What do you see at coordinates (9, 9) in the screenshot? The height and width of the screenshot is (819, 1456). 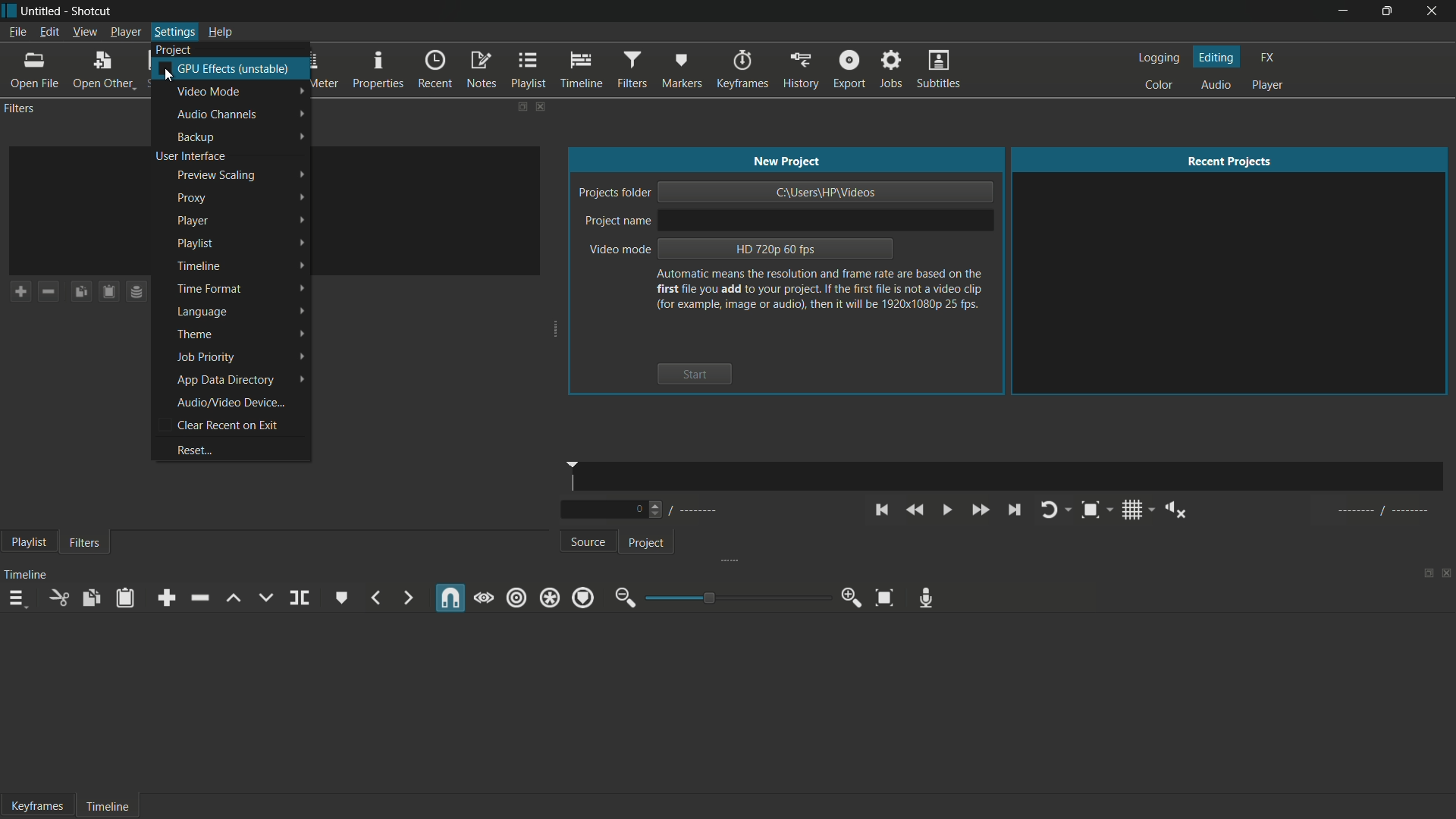 I see `app icon` at bounding box center [9, 9].